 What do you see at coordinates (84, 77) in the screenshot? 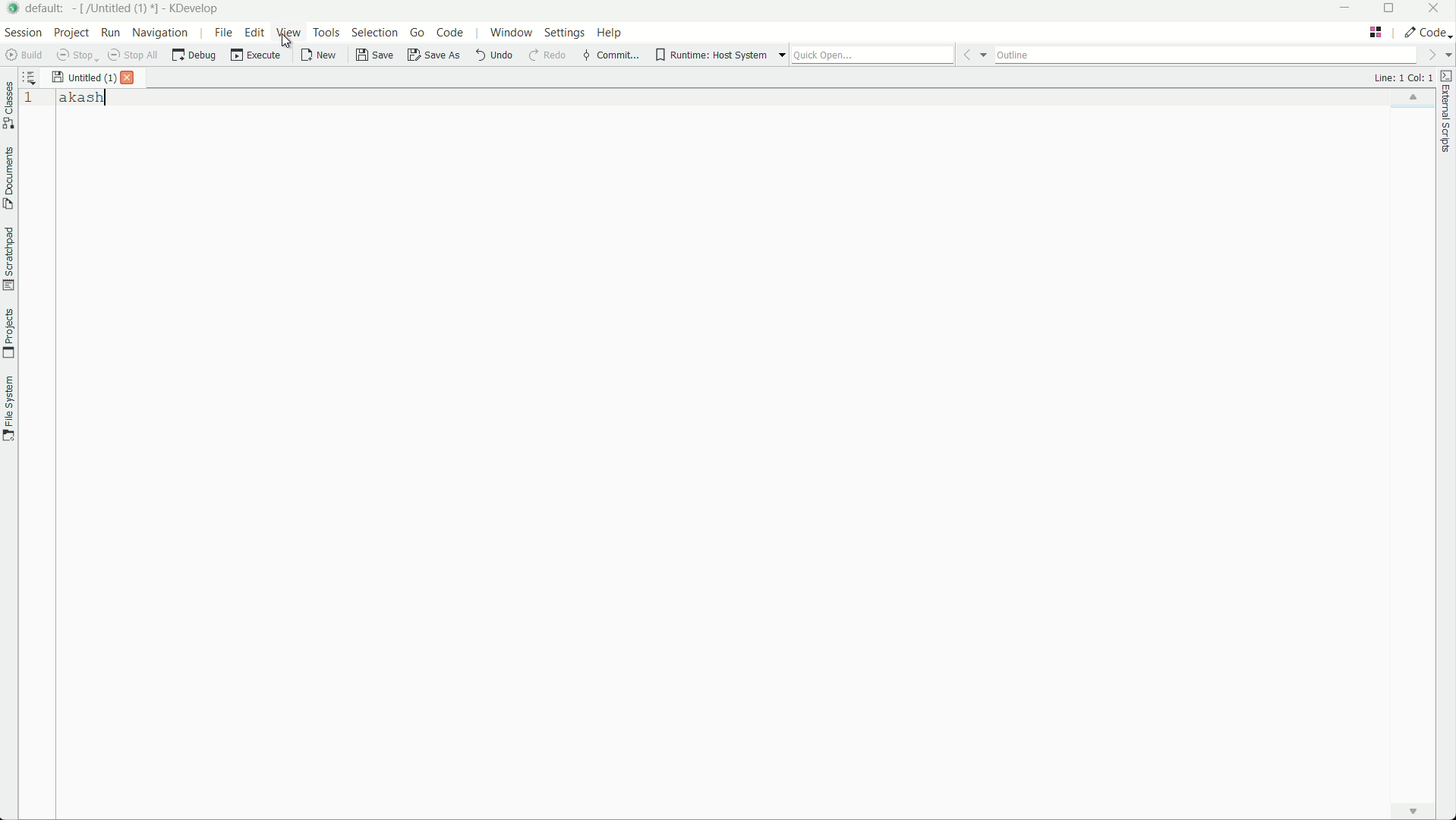
I see `untitled` at bounding box center [84, 77].